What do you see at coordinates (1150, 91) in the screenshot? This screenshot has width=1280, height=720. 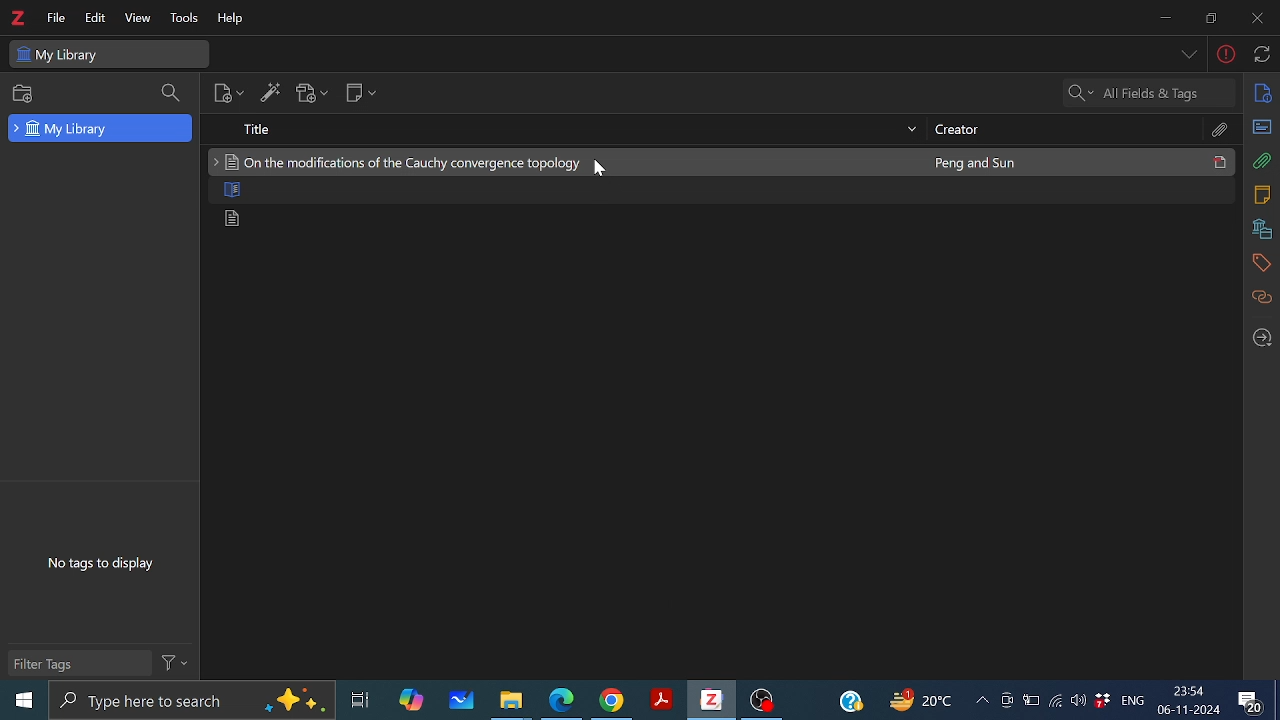 I see `Serach` at bounding box center [1150, 91].